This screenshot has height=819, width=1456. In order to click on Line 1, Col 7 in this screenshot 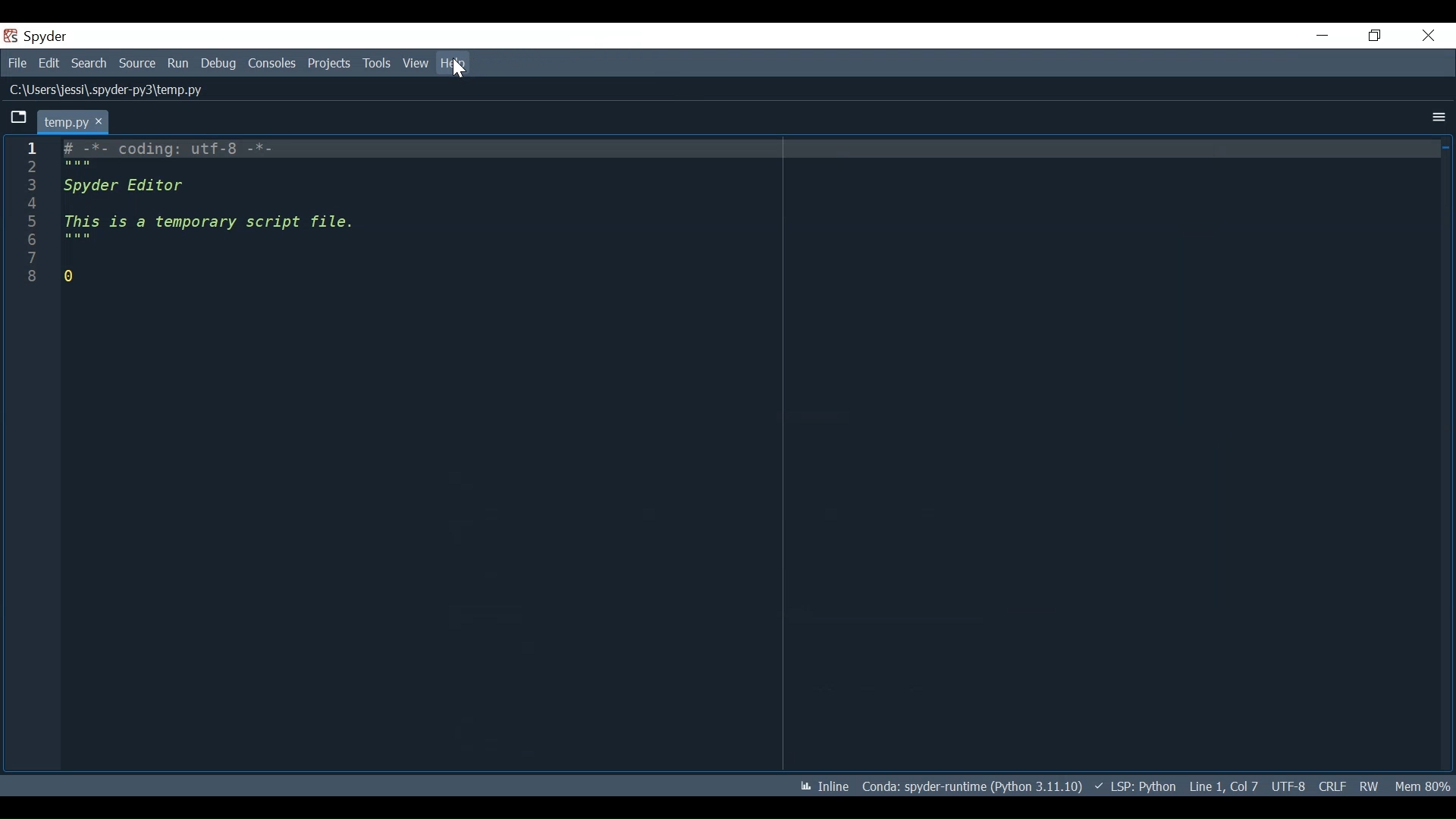, I will do `click(1223, 784)`.